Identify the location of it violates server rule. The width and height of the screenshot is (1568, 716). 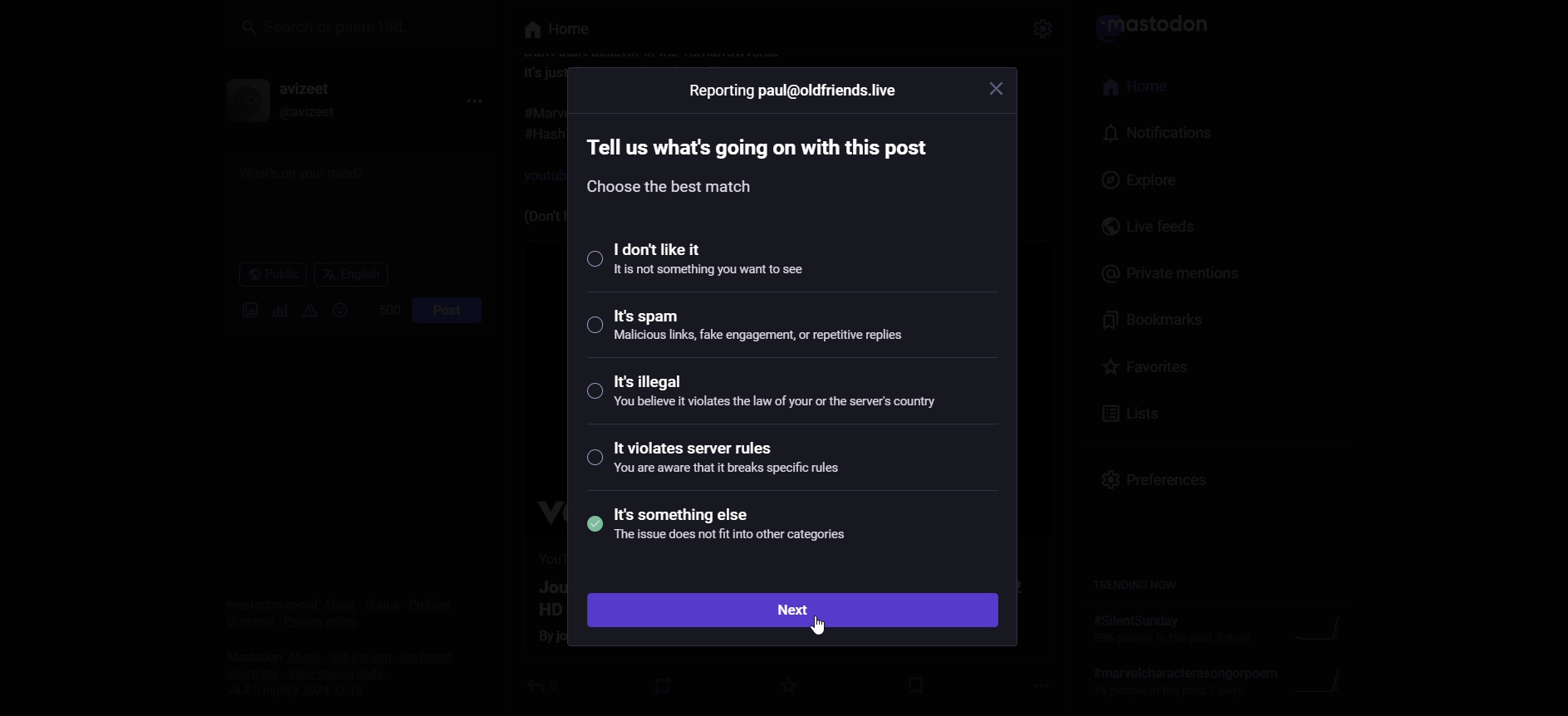
(744, 462).